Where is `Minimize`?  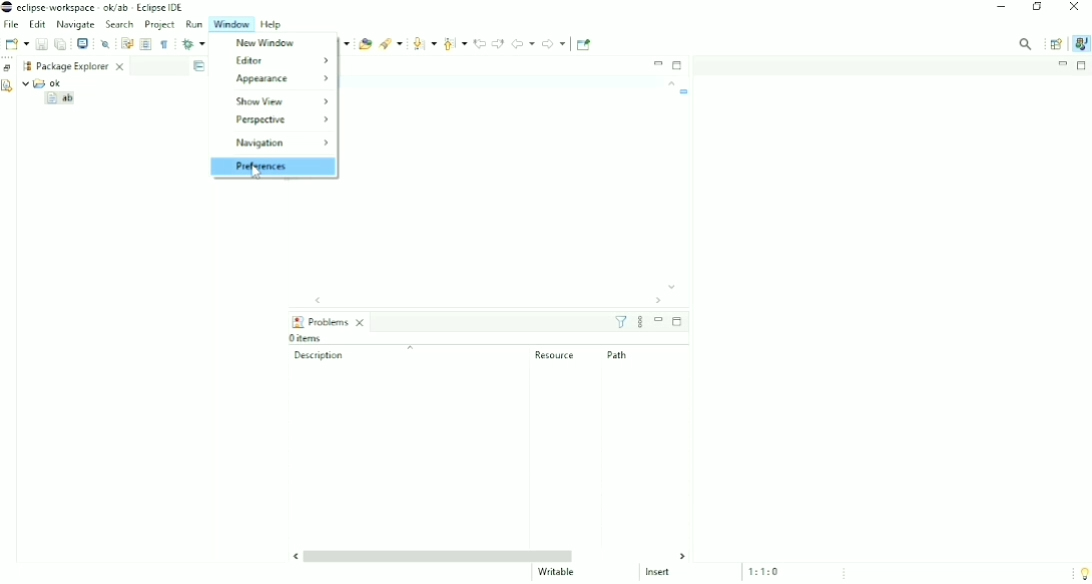
Minimize is located at coordinates (659, 63).